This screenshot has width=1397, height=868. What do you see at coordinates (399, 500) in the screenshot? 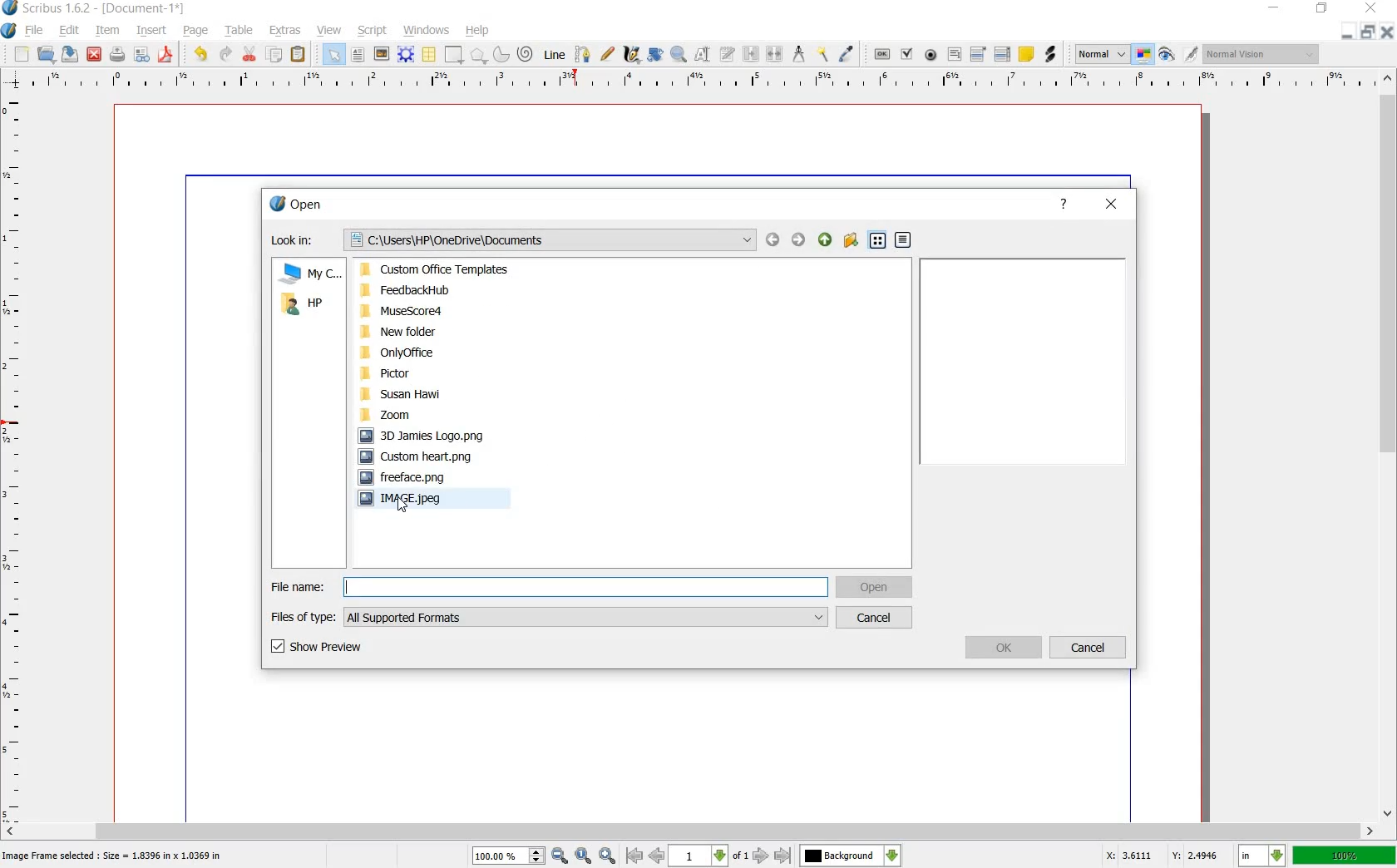
I see `IMAGE.jpeg` at bounding box center [399, 500].